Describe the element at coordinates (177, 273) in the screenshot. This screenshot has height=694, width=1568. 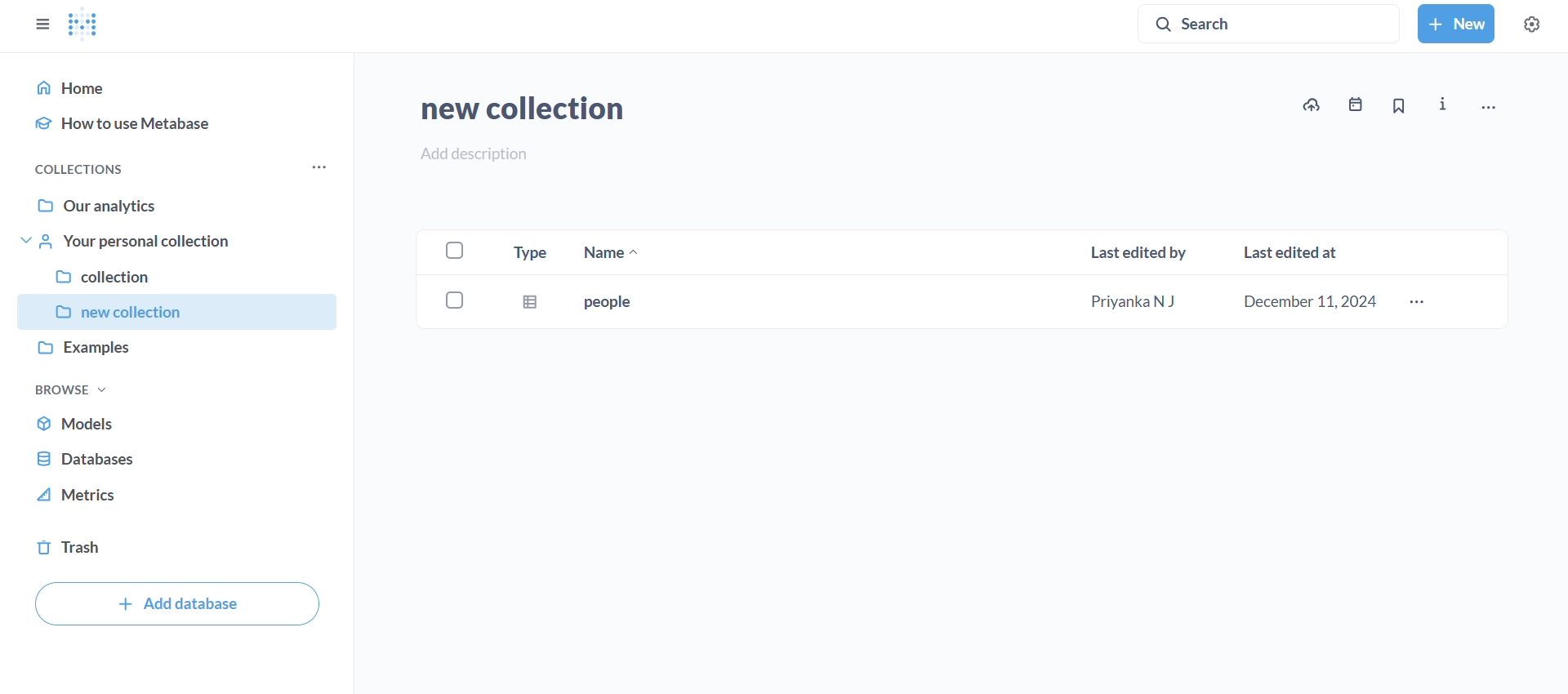
I see `collection` at that location.